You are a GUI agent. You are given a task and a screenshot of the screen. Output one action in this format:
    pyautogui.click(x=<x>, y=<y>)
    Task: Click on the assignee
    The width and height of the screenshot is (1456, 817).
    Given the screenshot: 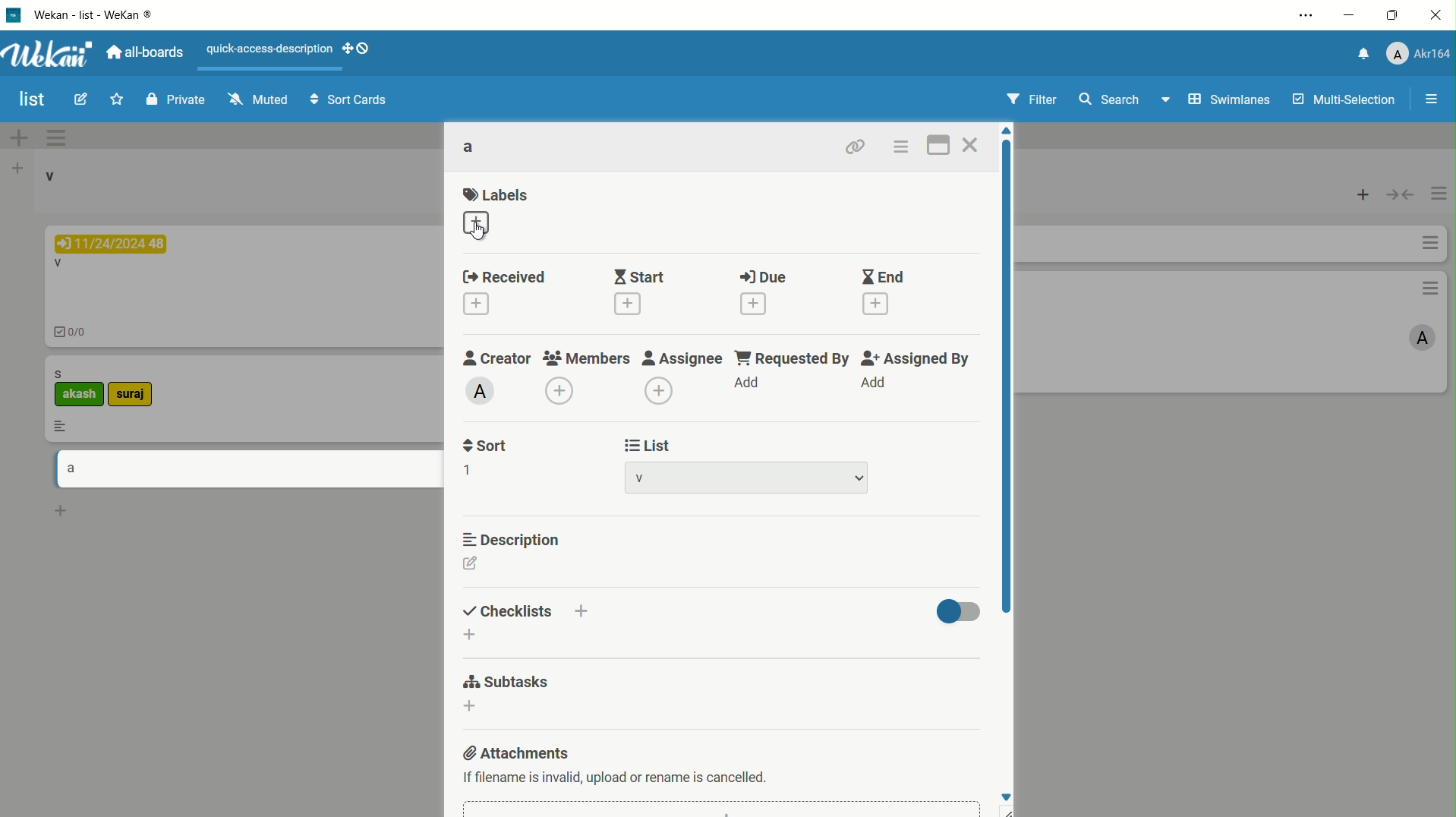 What is the action you would take?
    pyautogui.click(x=681, y=359)
    